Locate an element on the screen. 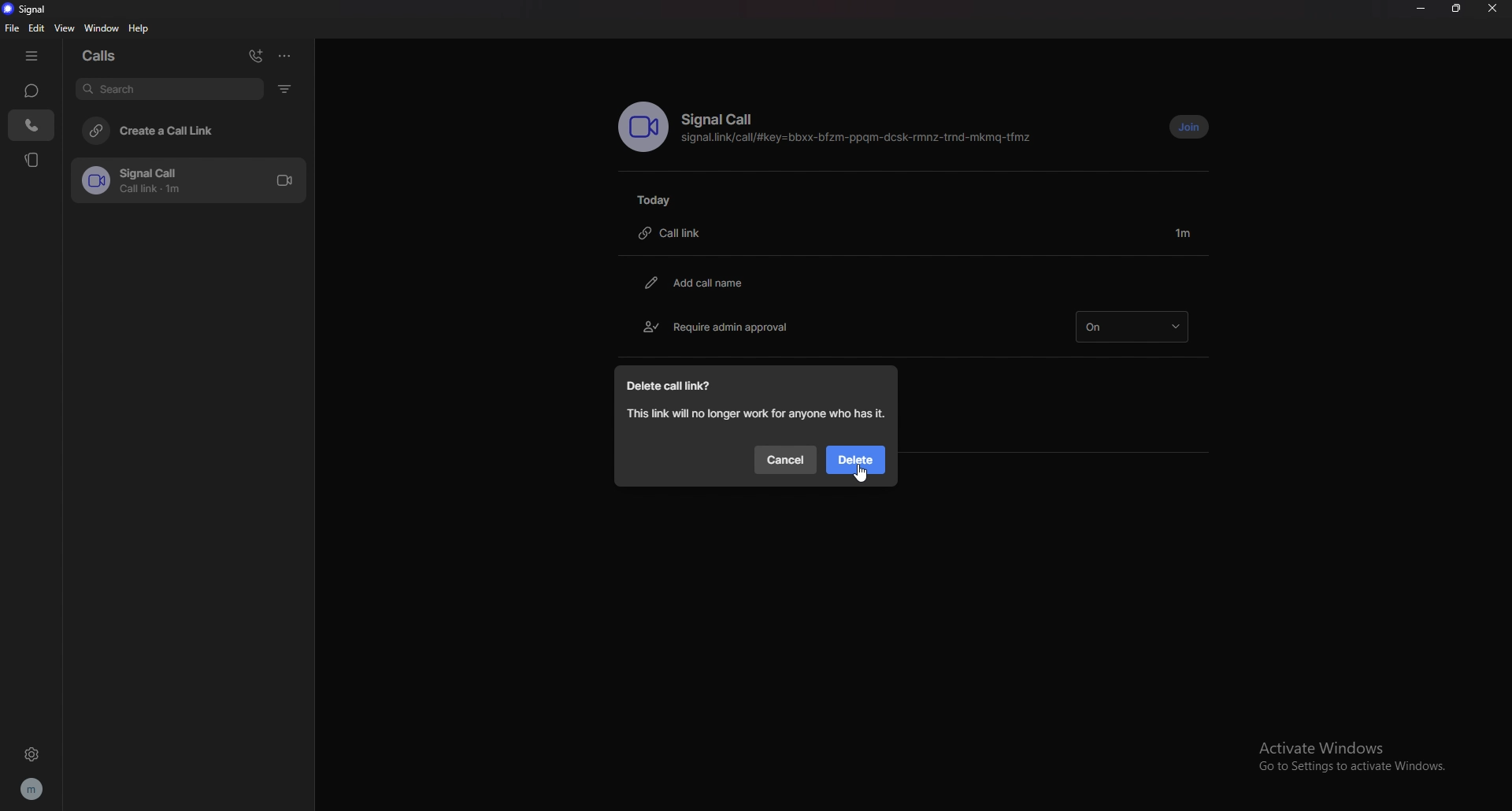  settings is located at coordinates (31, 755).